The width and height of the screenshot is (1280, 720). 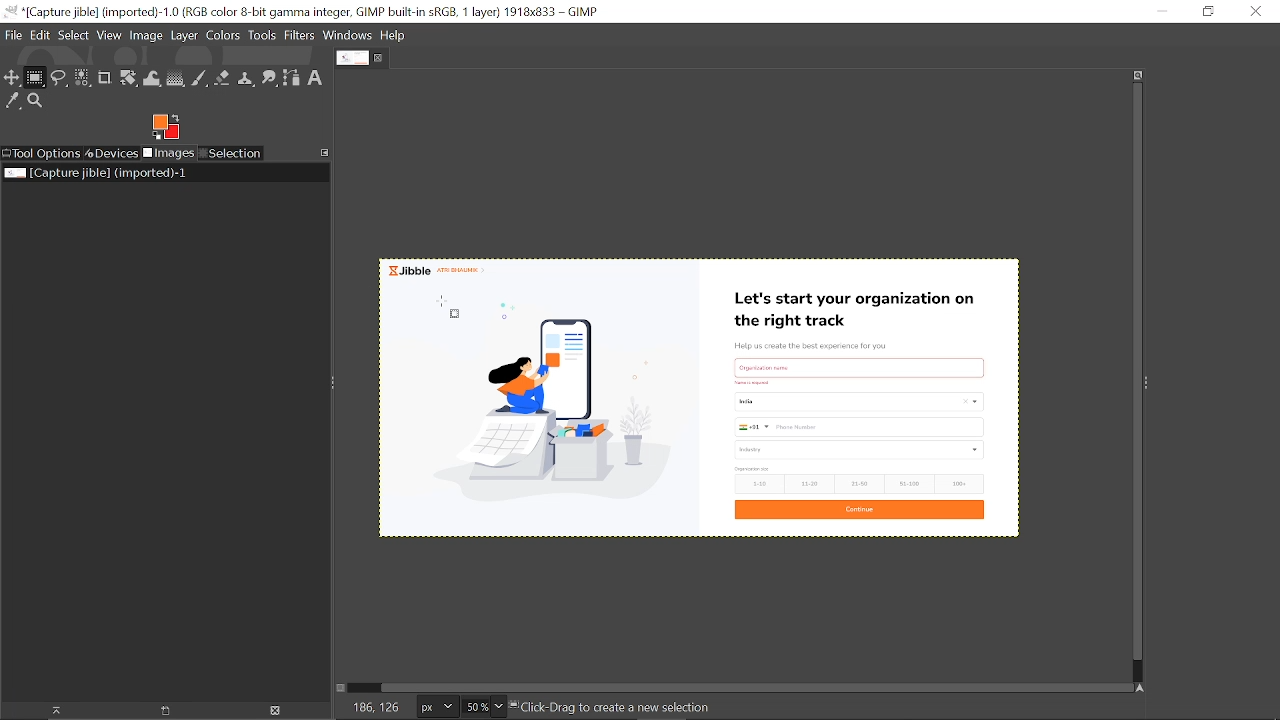 What do you see at coordinates (860, 510) in the screenshot?
I see `Continue` at bounding box center [860, 510].